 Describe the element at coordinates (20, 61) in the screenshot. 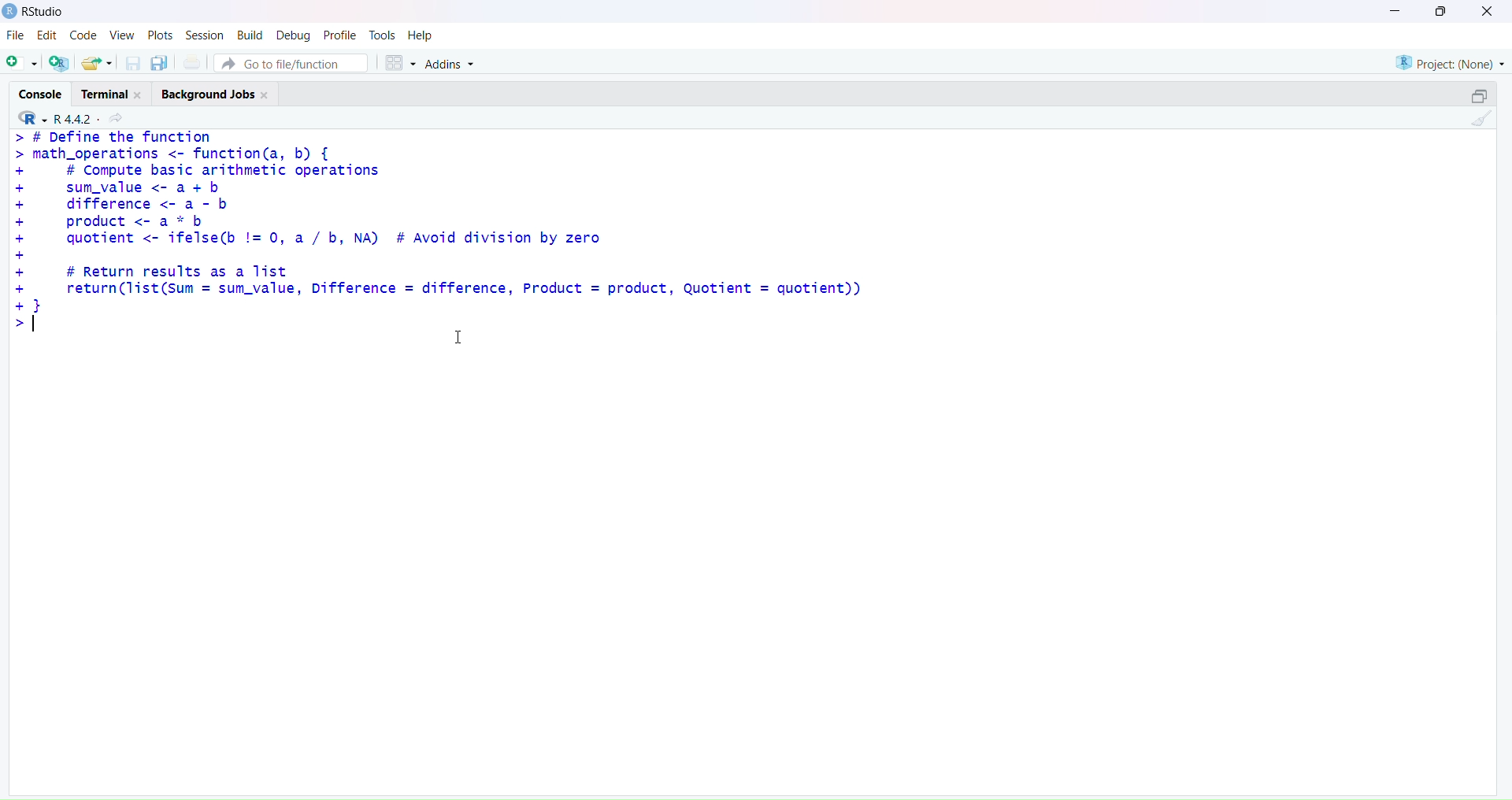

I see `New File` at that location.